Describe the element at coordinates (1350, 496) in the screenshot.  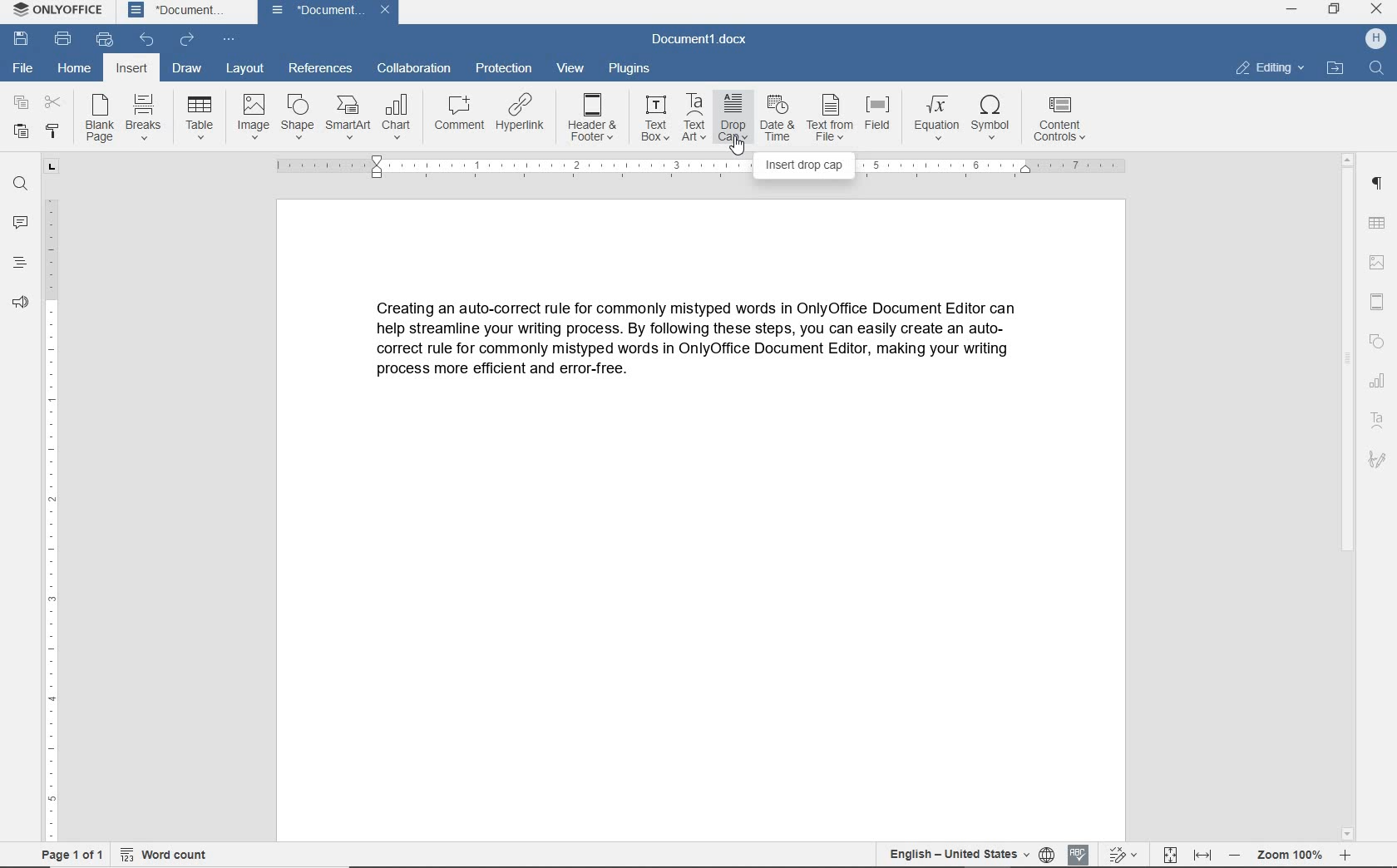
I see `scrollbar` at that location.